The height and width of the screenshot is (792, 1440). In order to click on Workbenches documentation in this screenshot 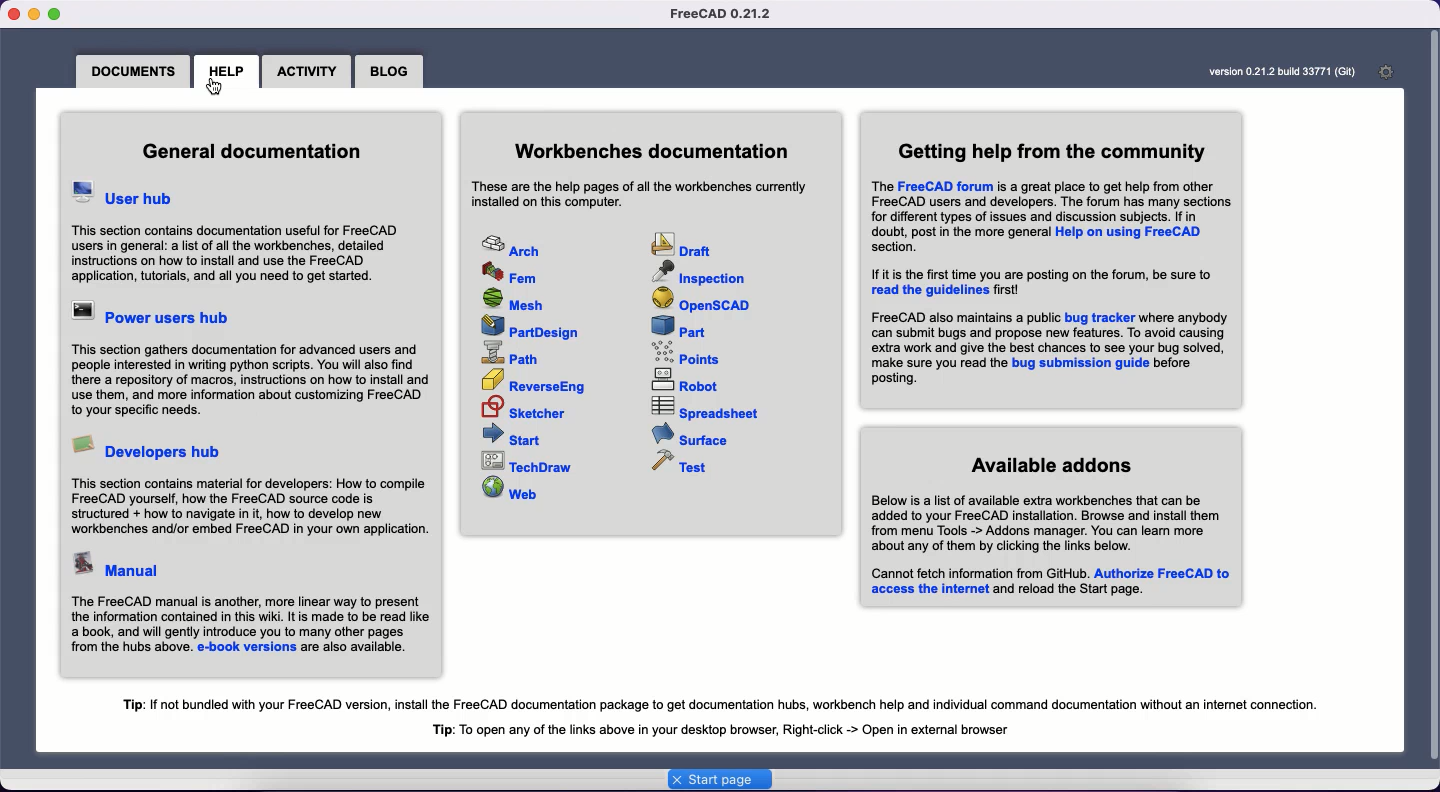, I will do `click(647, 149)`.